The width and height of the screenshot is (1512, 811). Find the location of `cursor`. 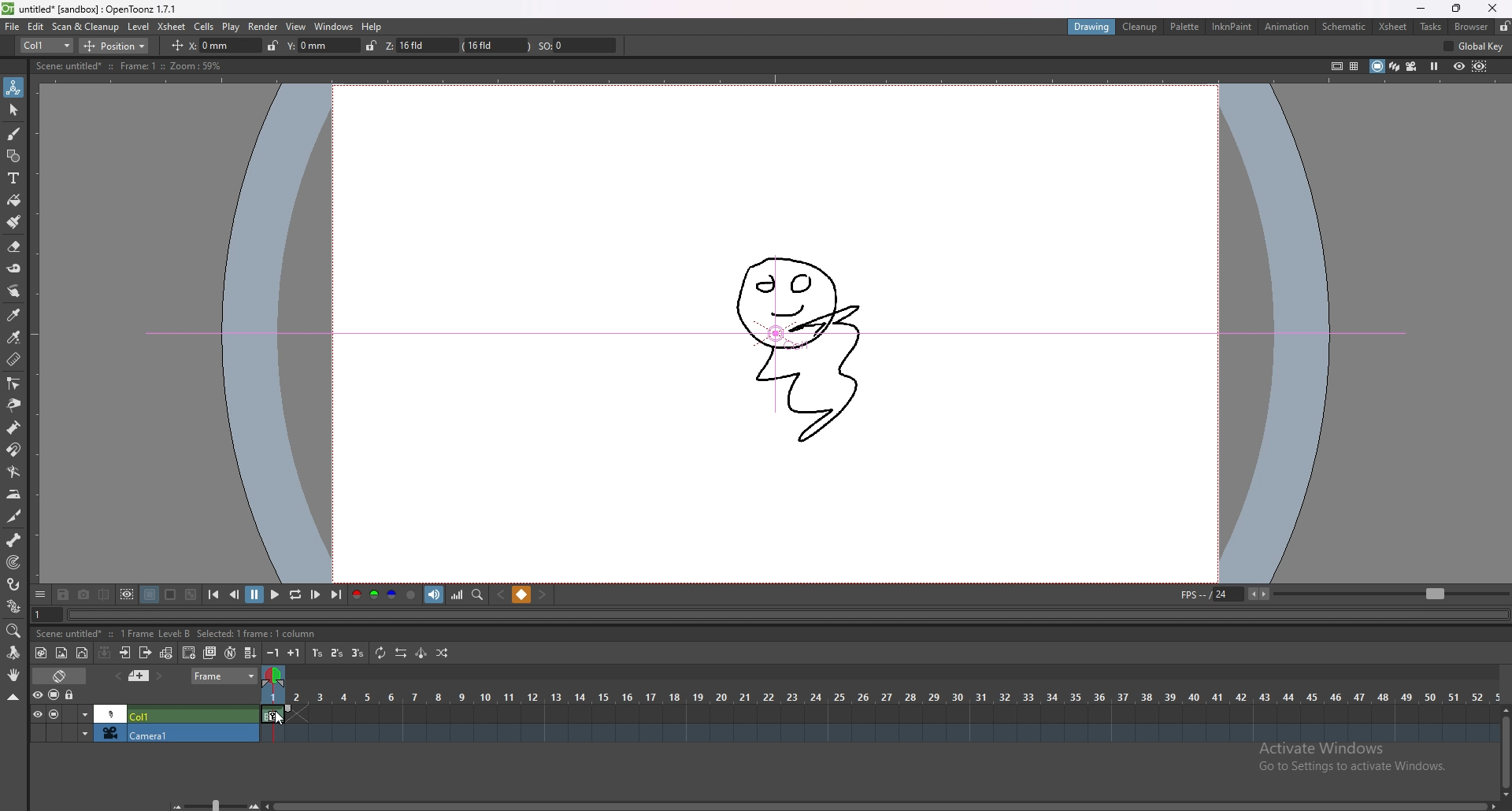

cursor is located at coordinates (280, 717).